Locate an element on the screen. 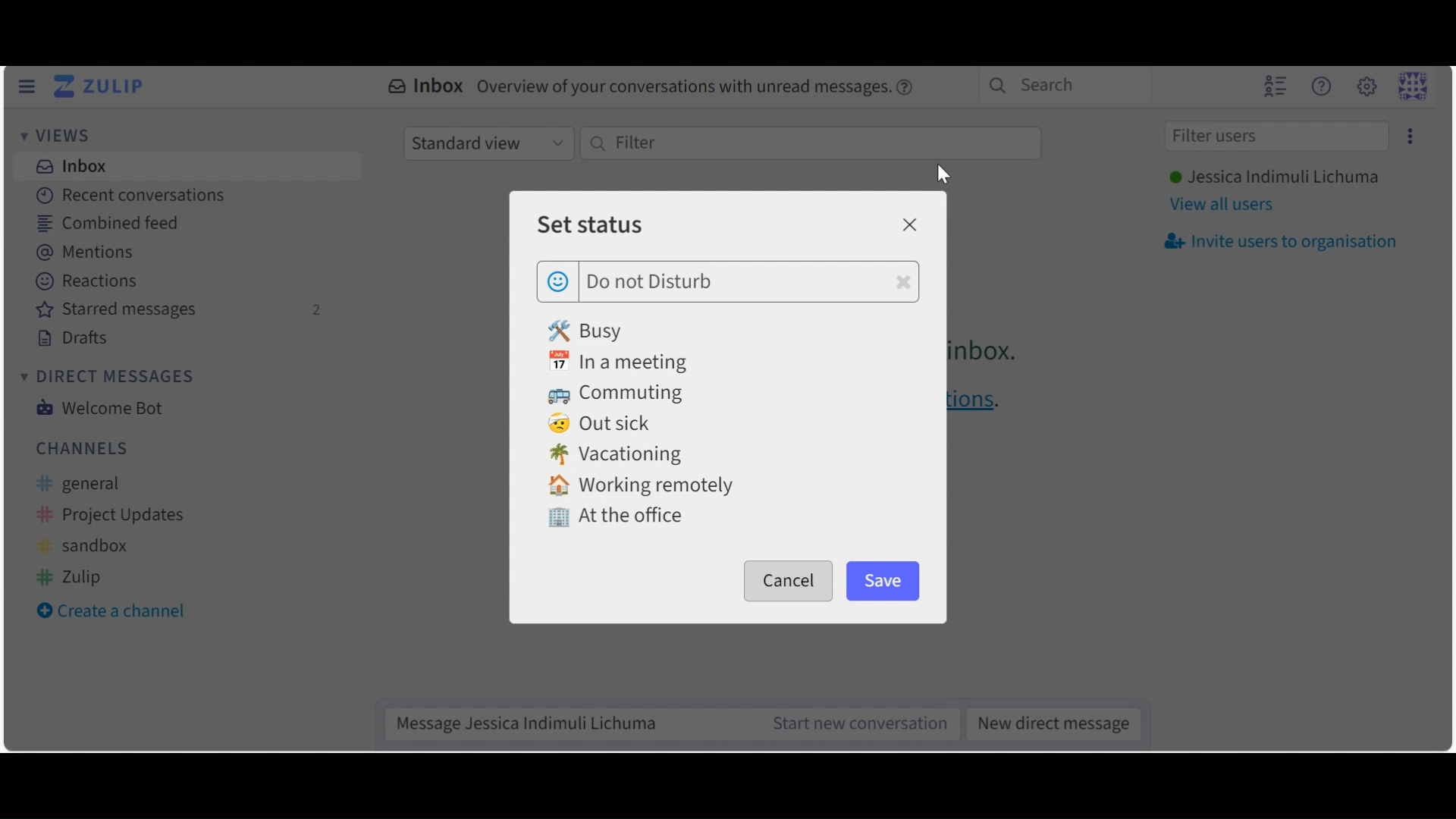 The height and width of the screenshot is (819, 1456). Reactions is located at coordinates (89, 282).